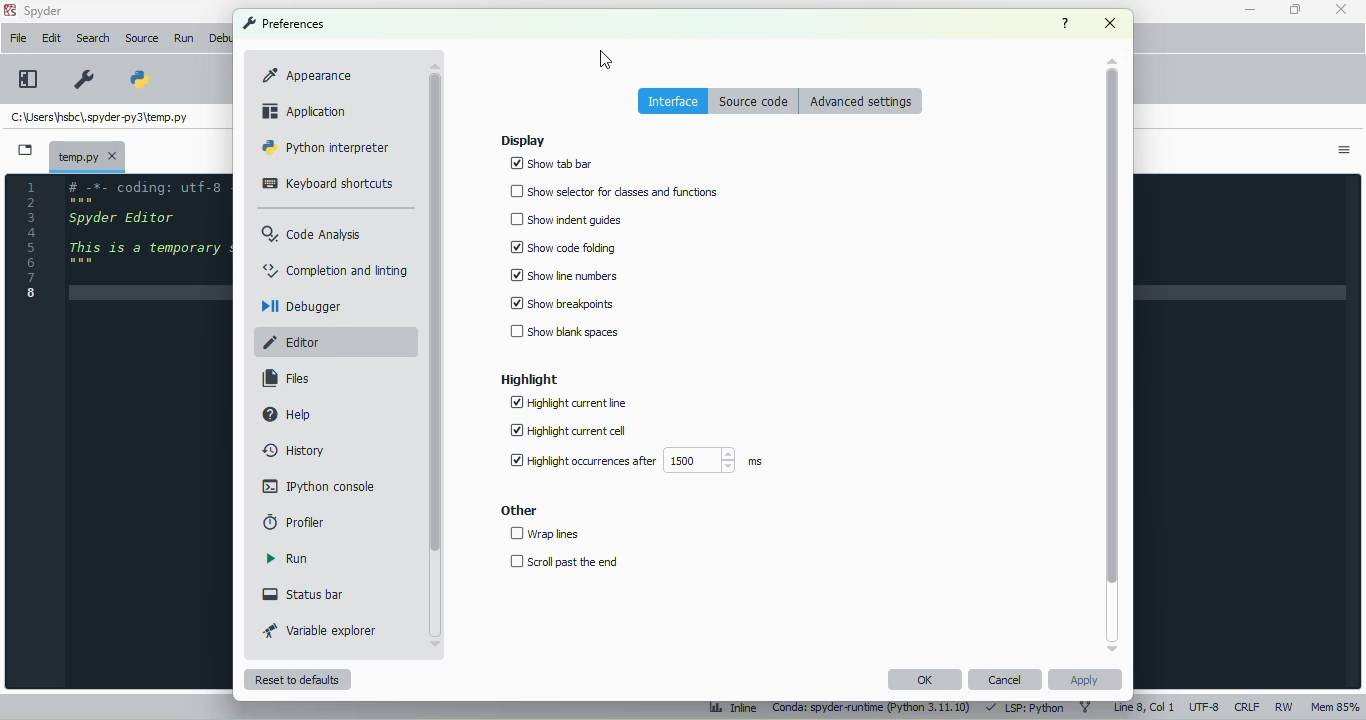 The width and height of the screenshot is (1366, 720). What do you see at coordinates (18, 38) in the screenshot?
I see `file` at bounding box center [18, 38].